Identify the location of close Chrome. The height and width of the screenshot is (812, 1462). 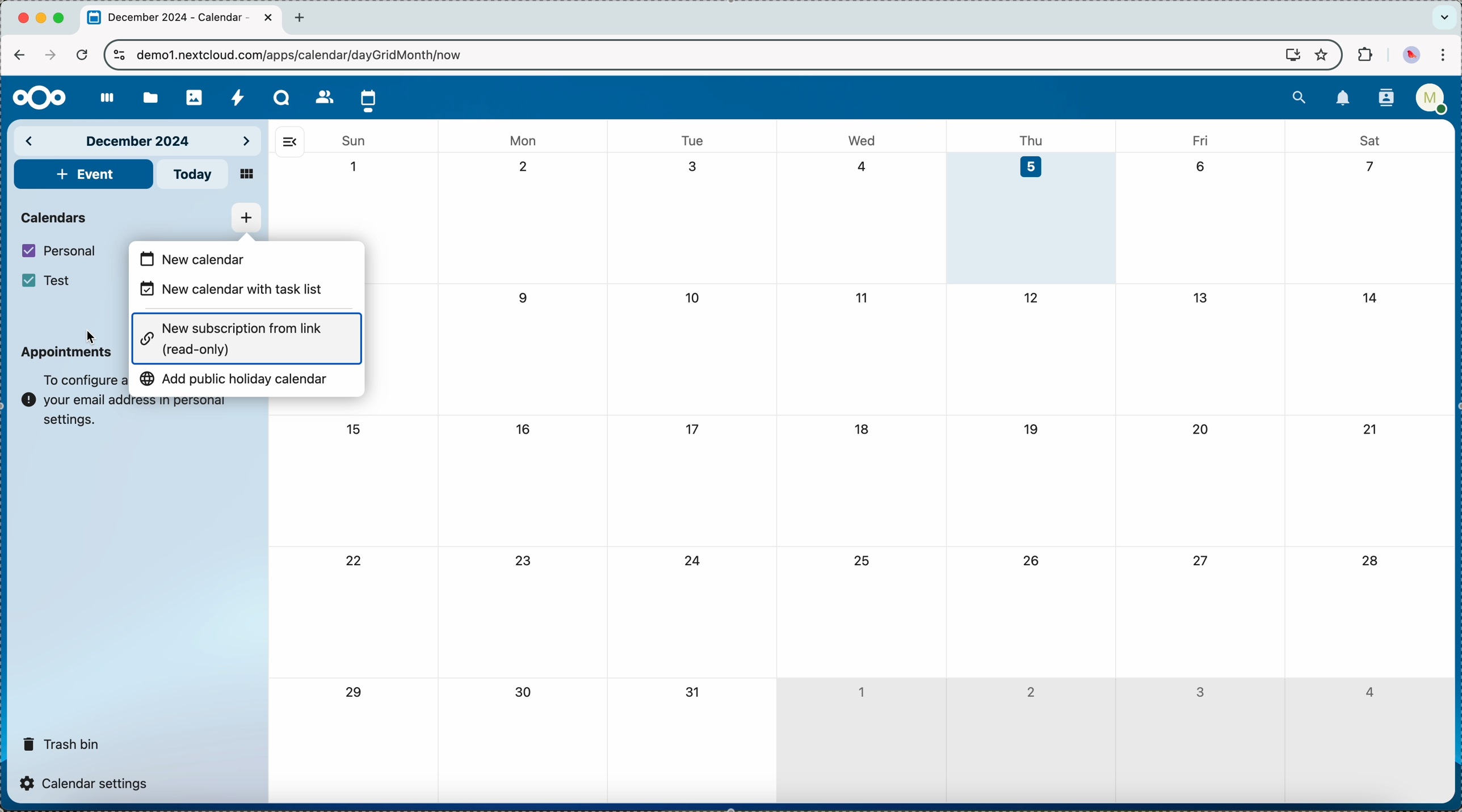
(23, 19).